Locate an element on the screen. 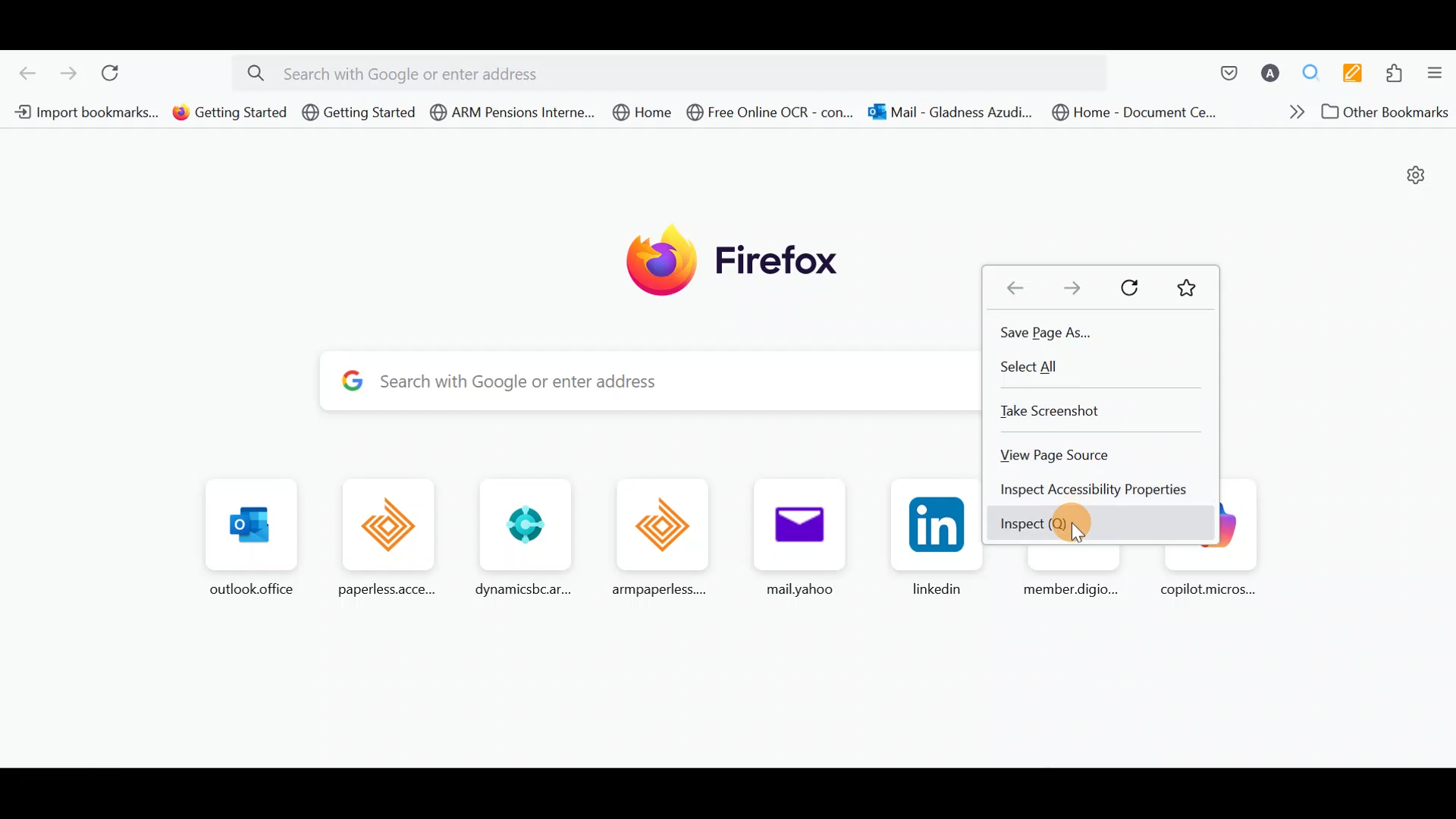 The width and height of the screenshot is (1456, 819). Select all is located at coordinates (1037, 369).